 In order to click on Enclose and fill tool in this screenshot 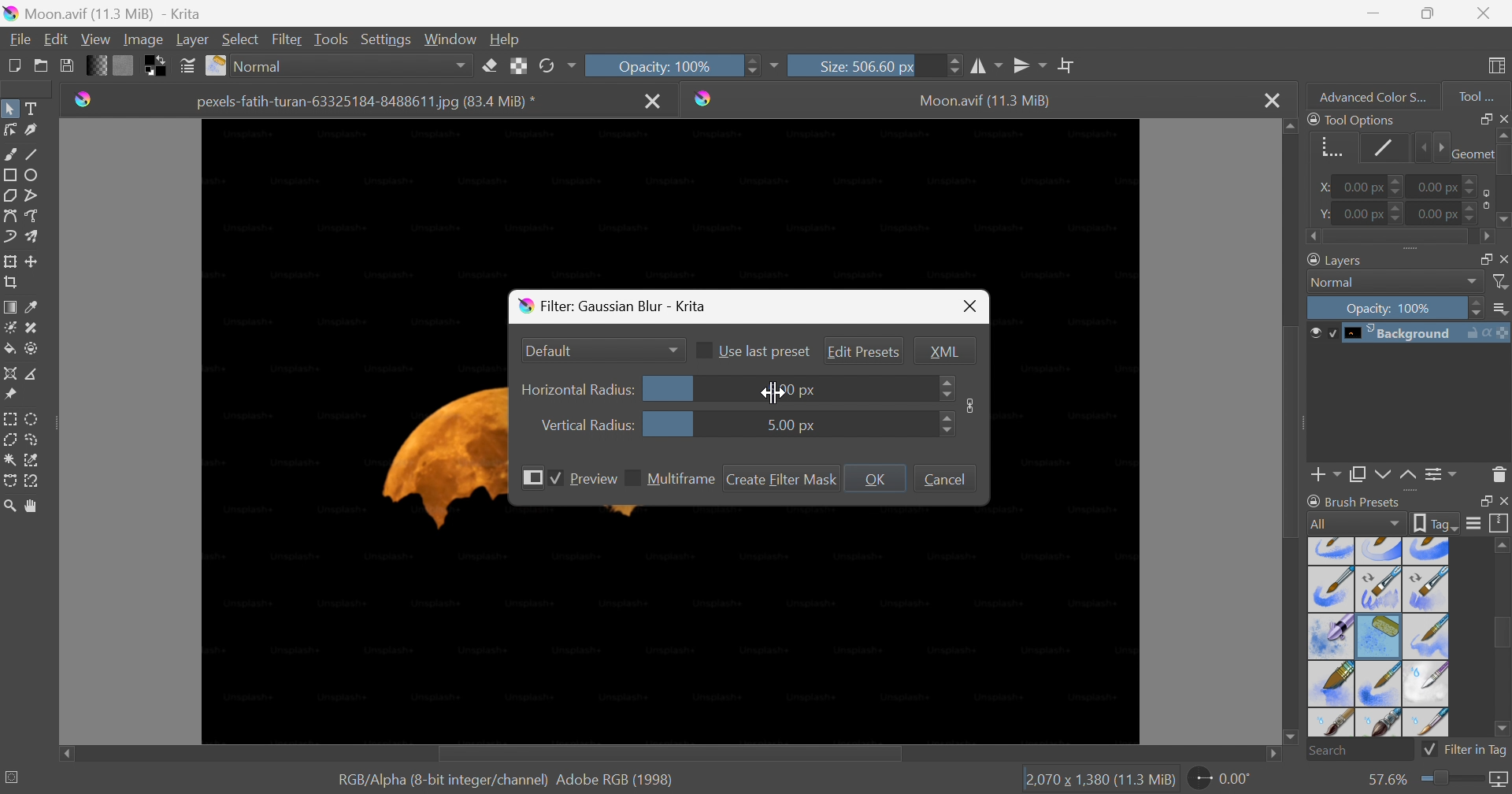, I will do `click(31, 350)`.